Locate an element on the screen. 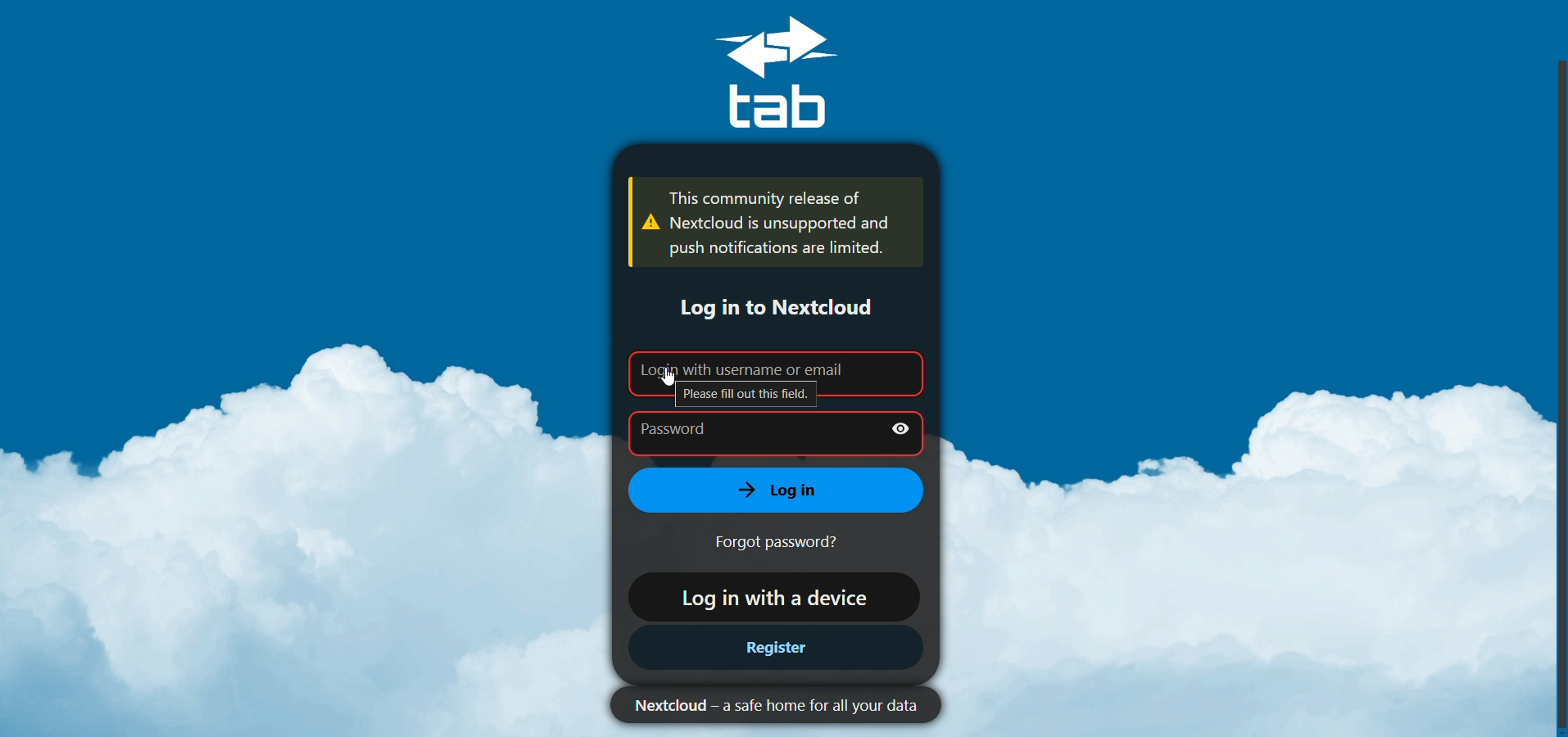  Log in is located at coordinates (774, 494).